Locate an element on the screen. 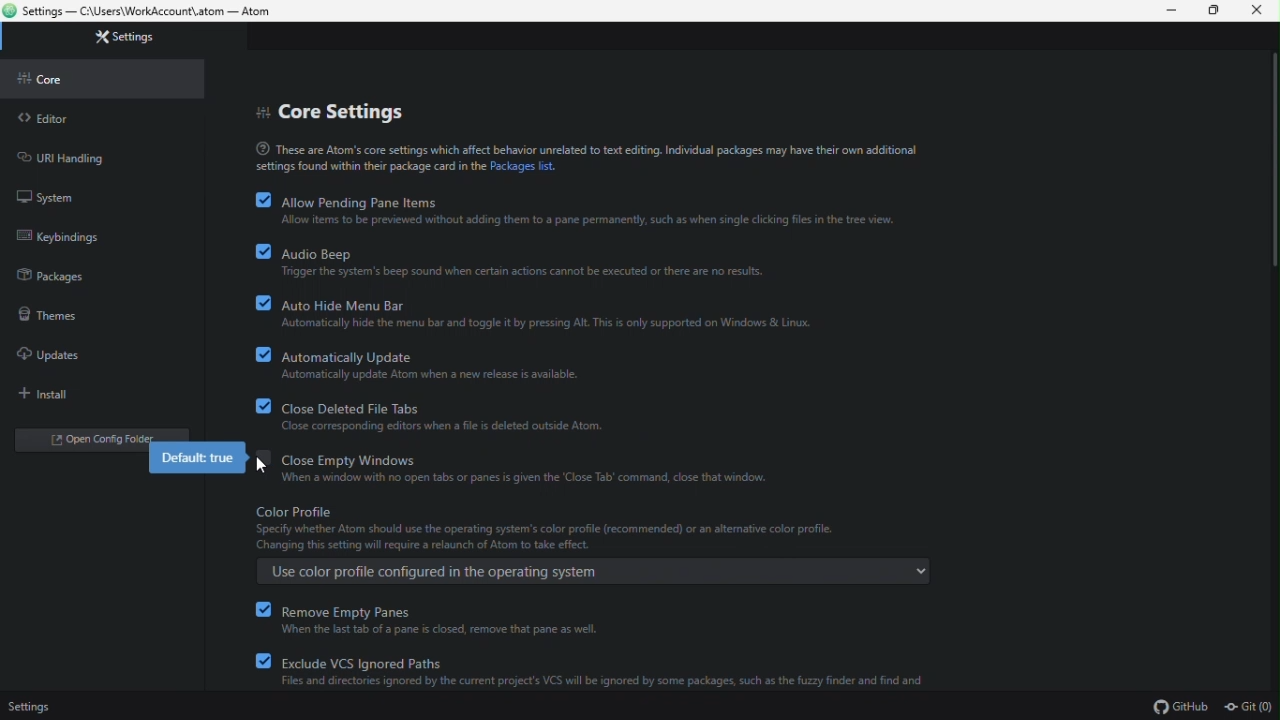 This screenshot has height=720, width=1280. core is located at coordinates (49, 79).